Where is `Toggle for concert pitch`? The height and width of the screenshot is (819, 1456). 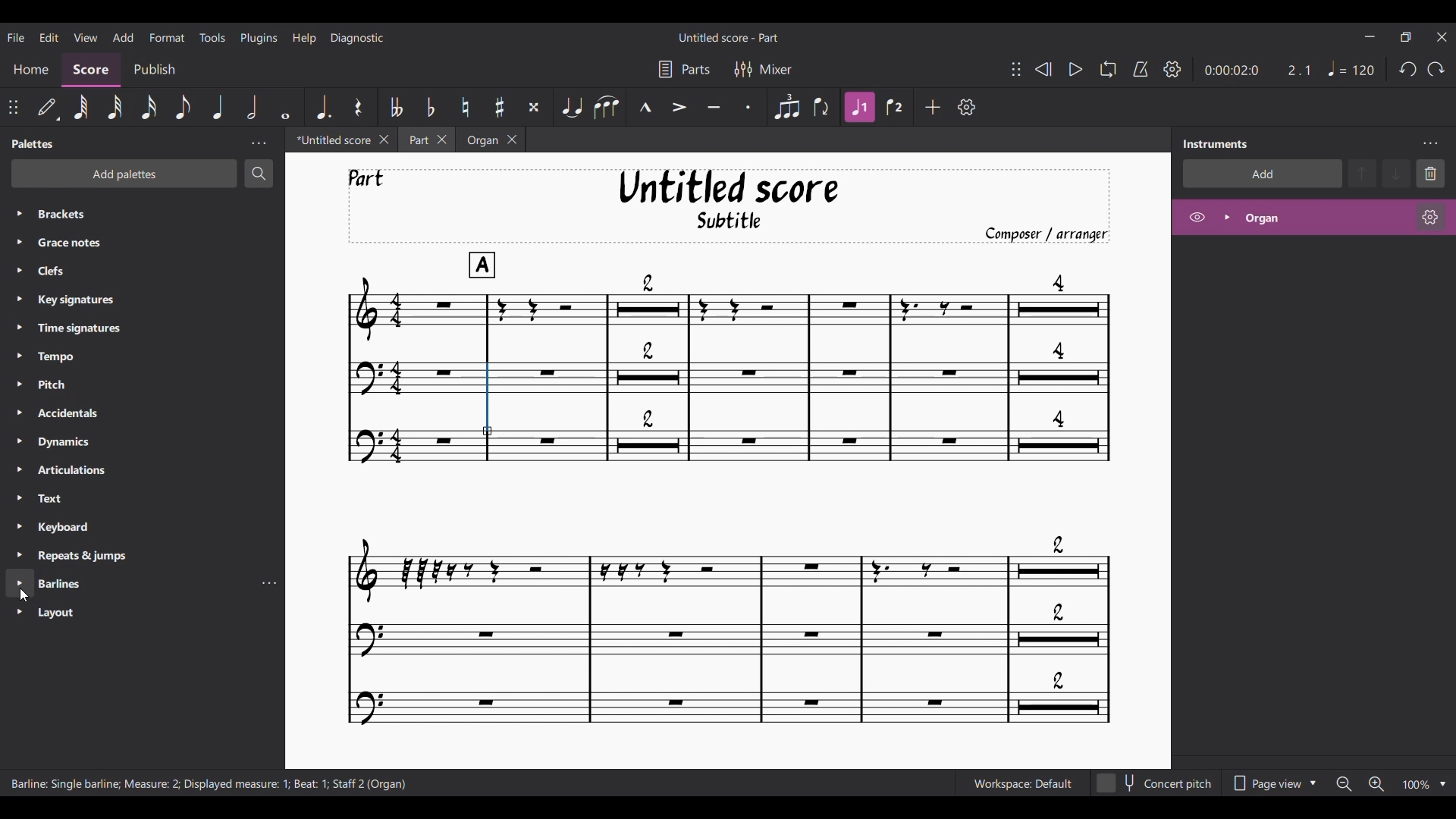 Toggle for concert pitch is located at coordinates (1156, 784).